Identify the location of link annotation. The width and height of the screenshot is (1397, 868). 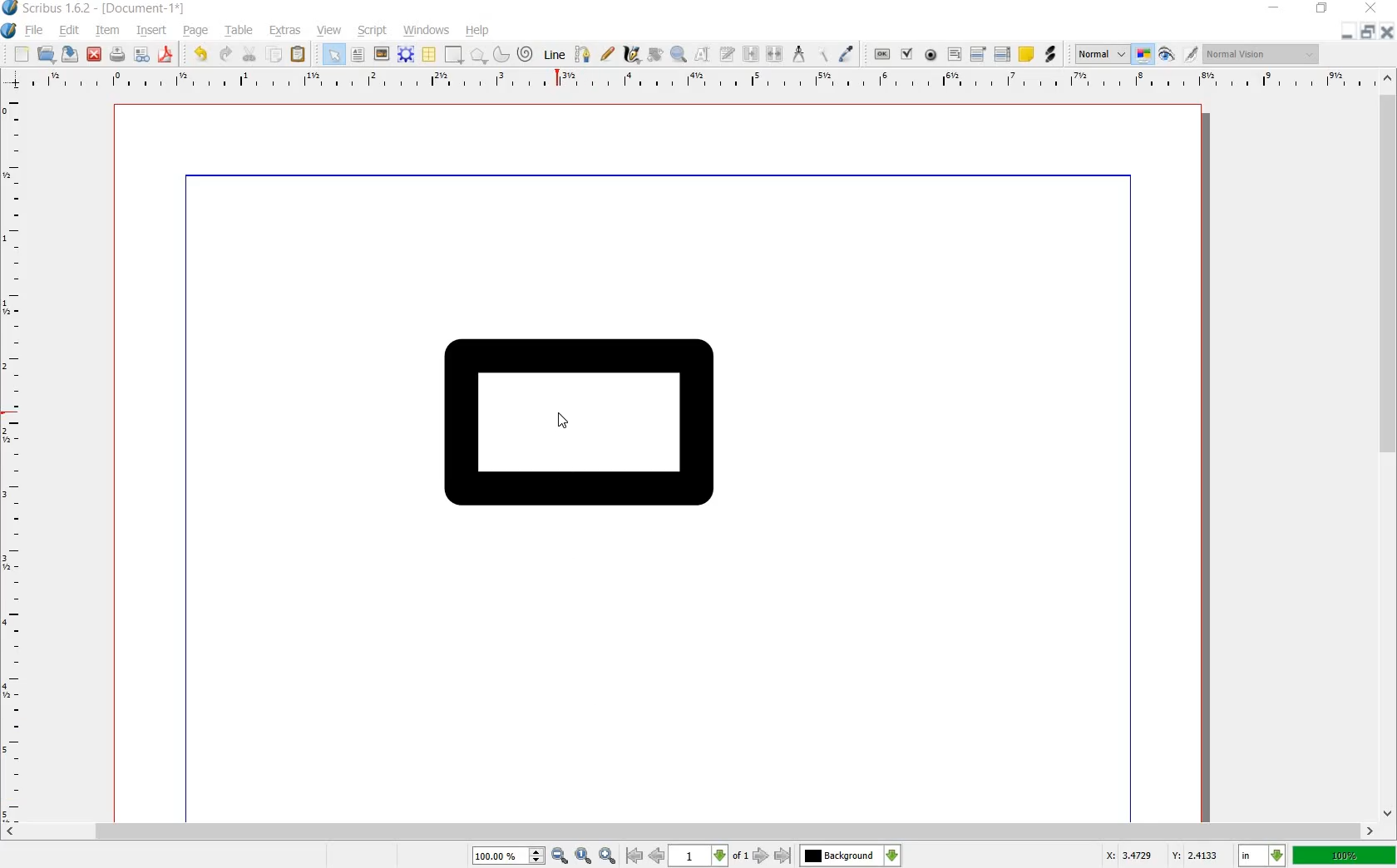
(1051, 55).